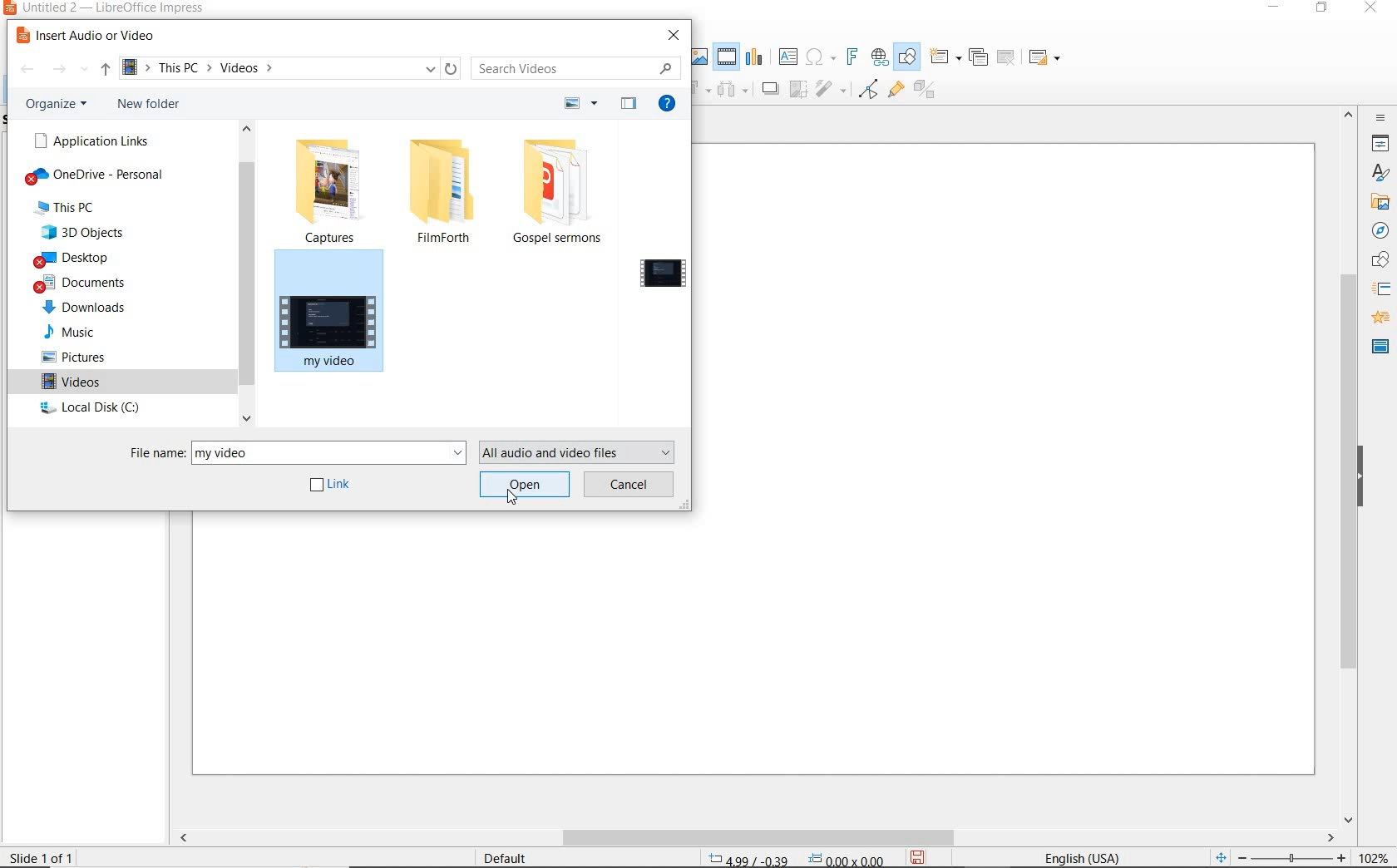 Image resolution: width=1397 pixels, height=868 pixels. Describe the element at coordinates (245, 452) in the screenshot. I see `my video` at that location.